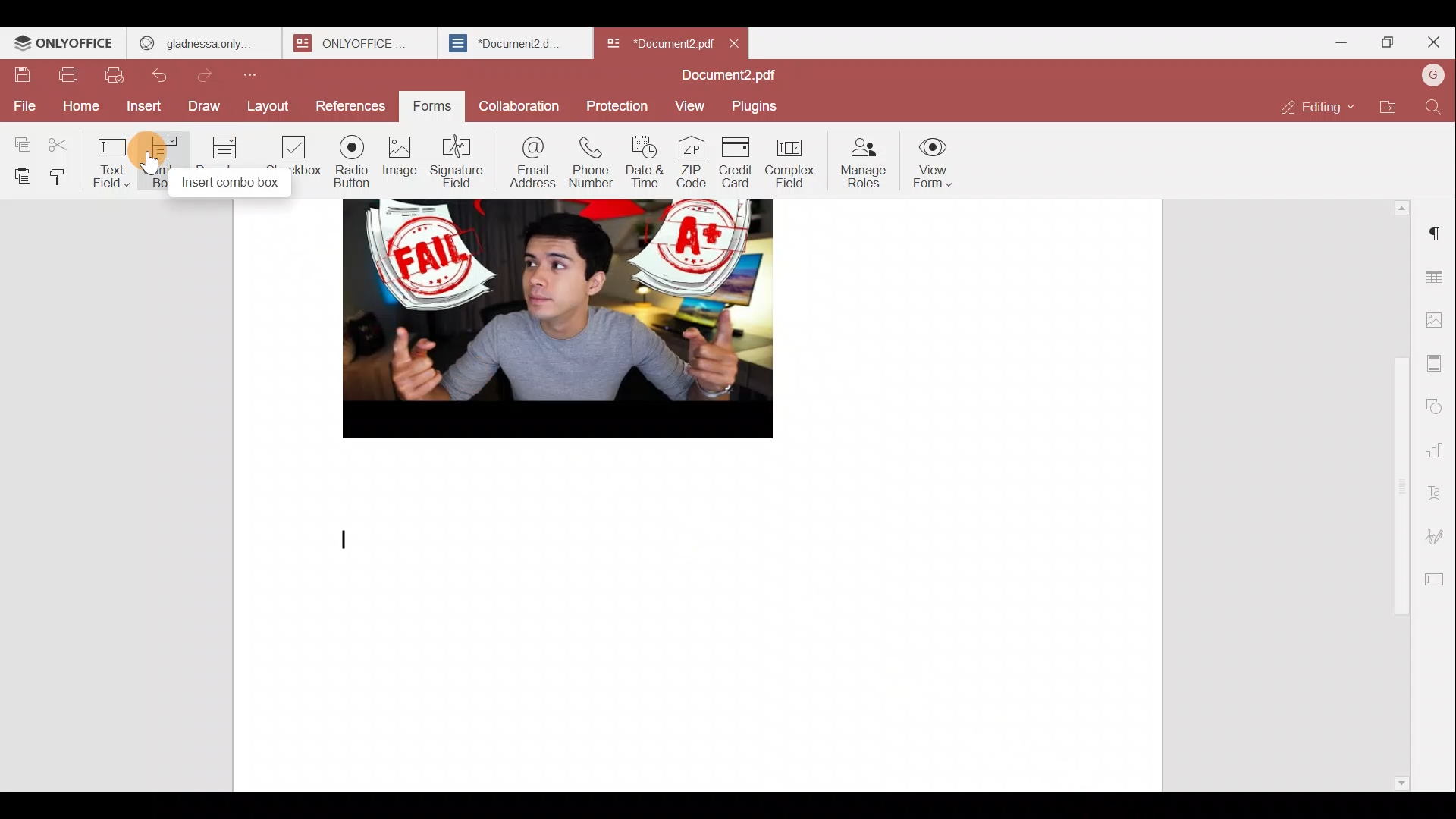 The height and width of the screenshot is (819, 1456). I want to click on Text Art settings, so click(1438, 491).